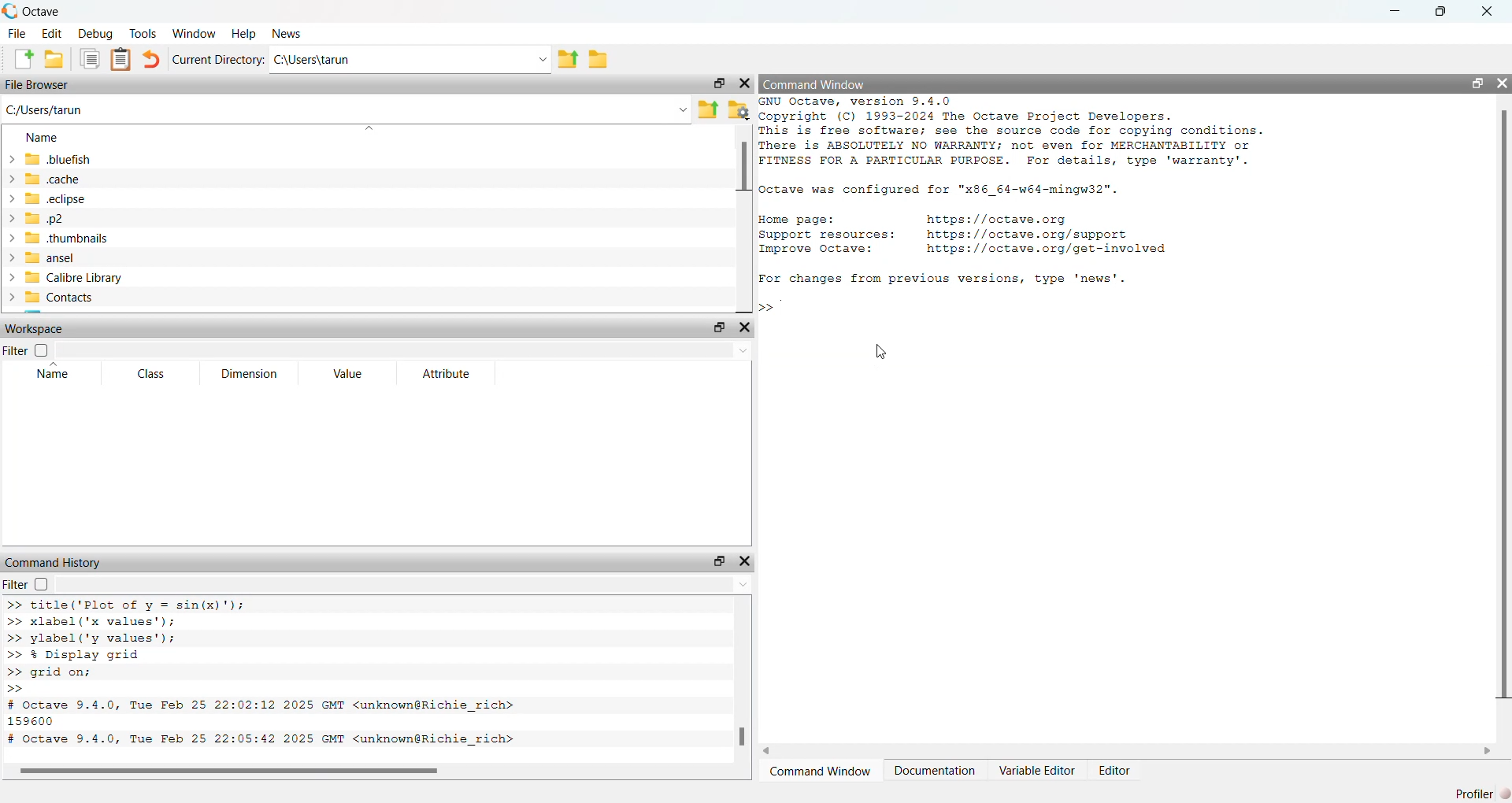 The image size is (1512, 803). What do you see at coordinates (966, 190) in the screenshot?
I see `2 Octave was configured for "x86_64-w64-mingw32".` at bounding box center [966, 190].